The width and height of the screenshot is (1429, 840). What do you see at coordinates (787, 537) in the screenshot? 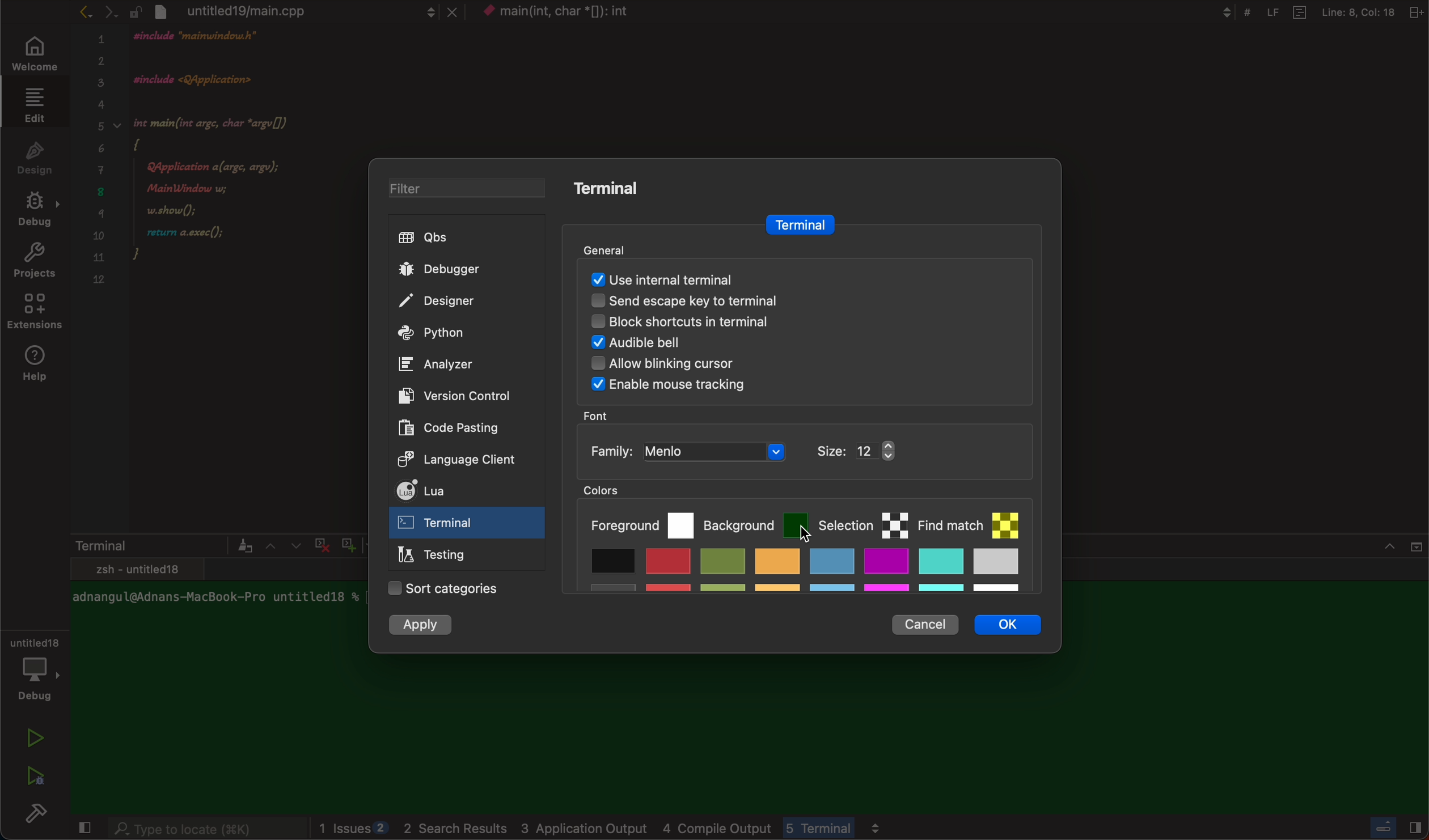
I see `cursor` at bounding box center [787, 537].